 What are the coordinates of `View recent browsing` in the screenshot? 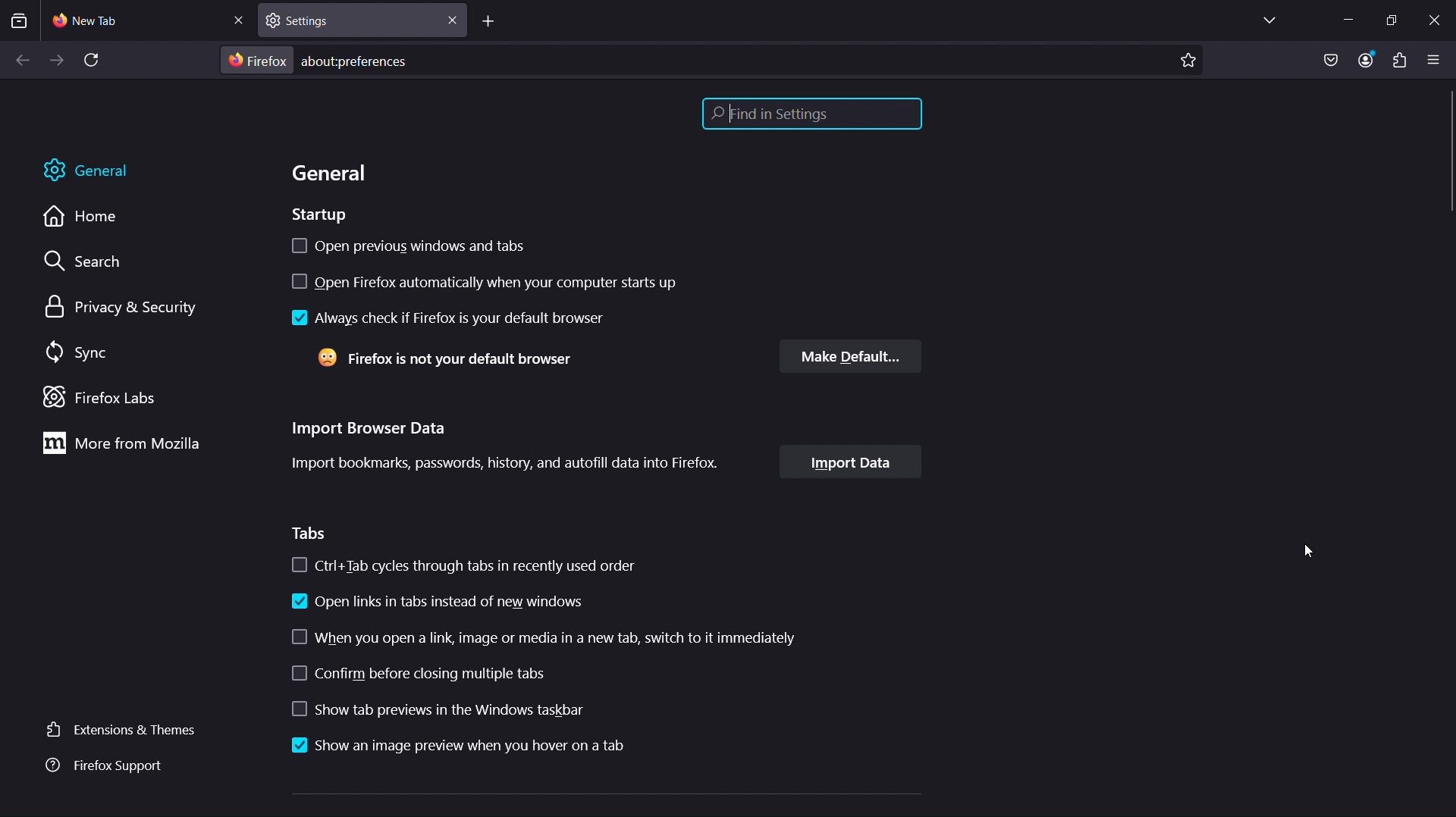 It's located at (22, 21).